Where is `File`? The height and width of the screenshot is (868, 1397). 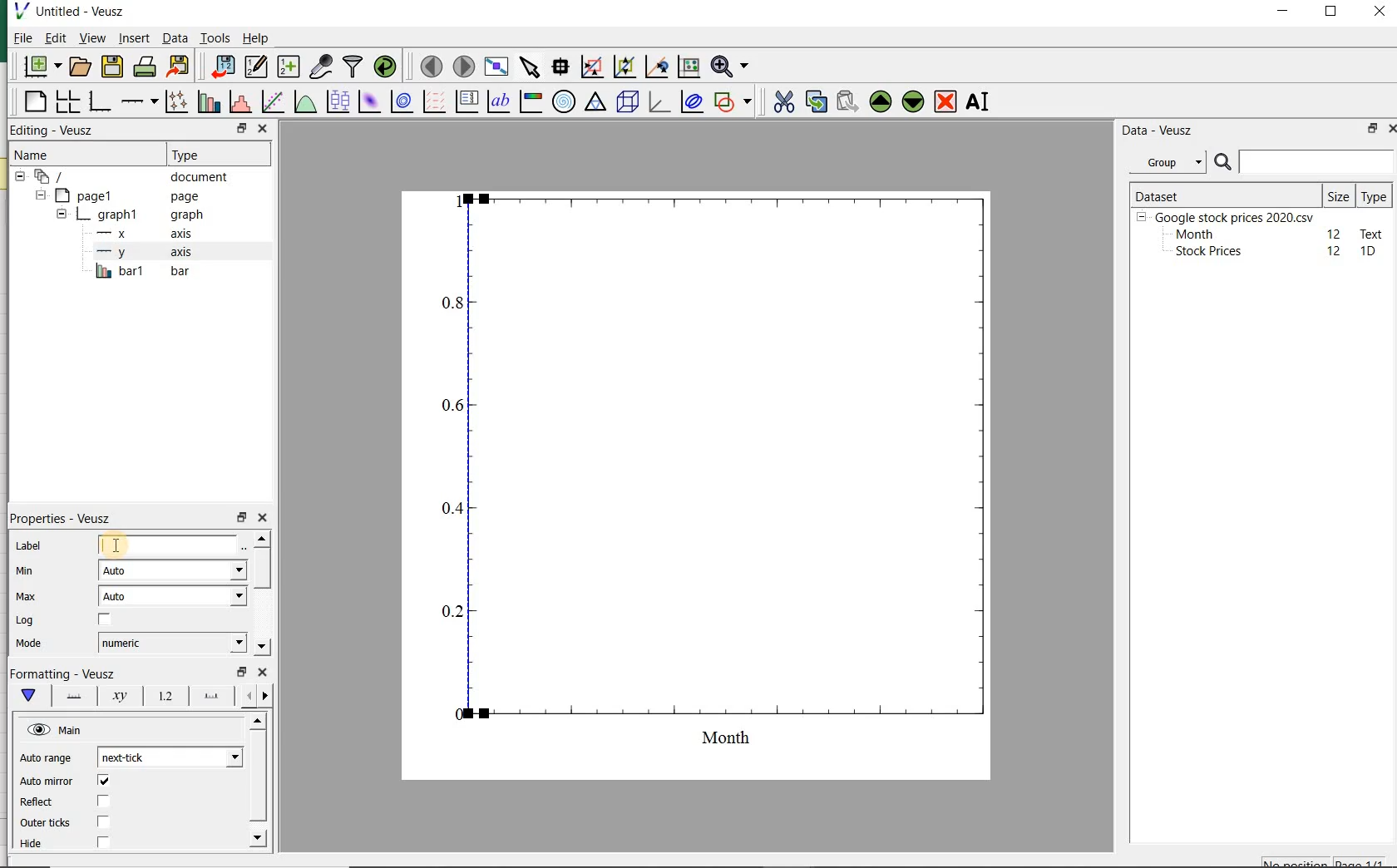
File is located at coordinates (18, 40).